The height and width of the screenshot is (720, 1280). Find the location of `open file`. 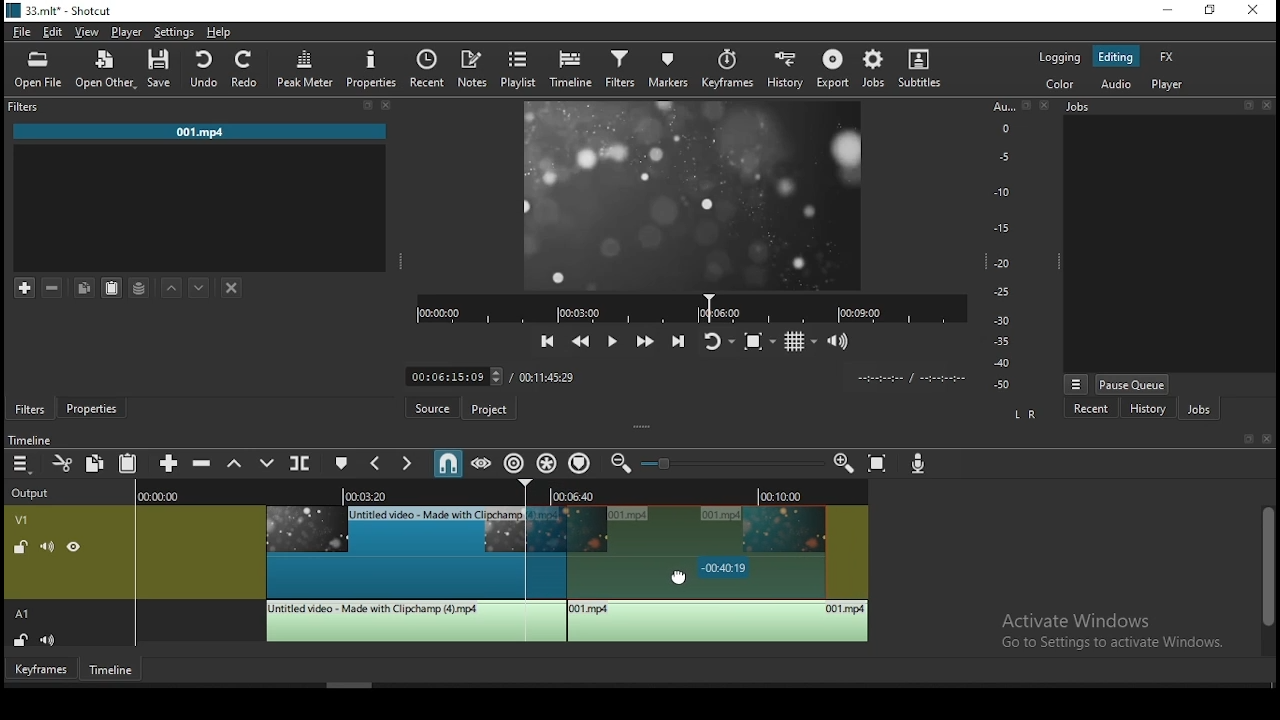

open file is located at coordinates (35, 71).